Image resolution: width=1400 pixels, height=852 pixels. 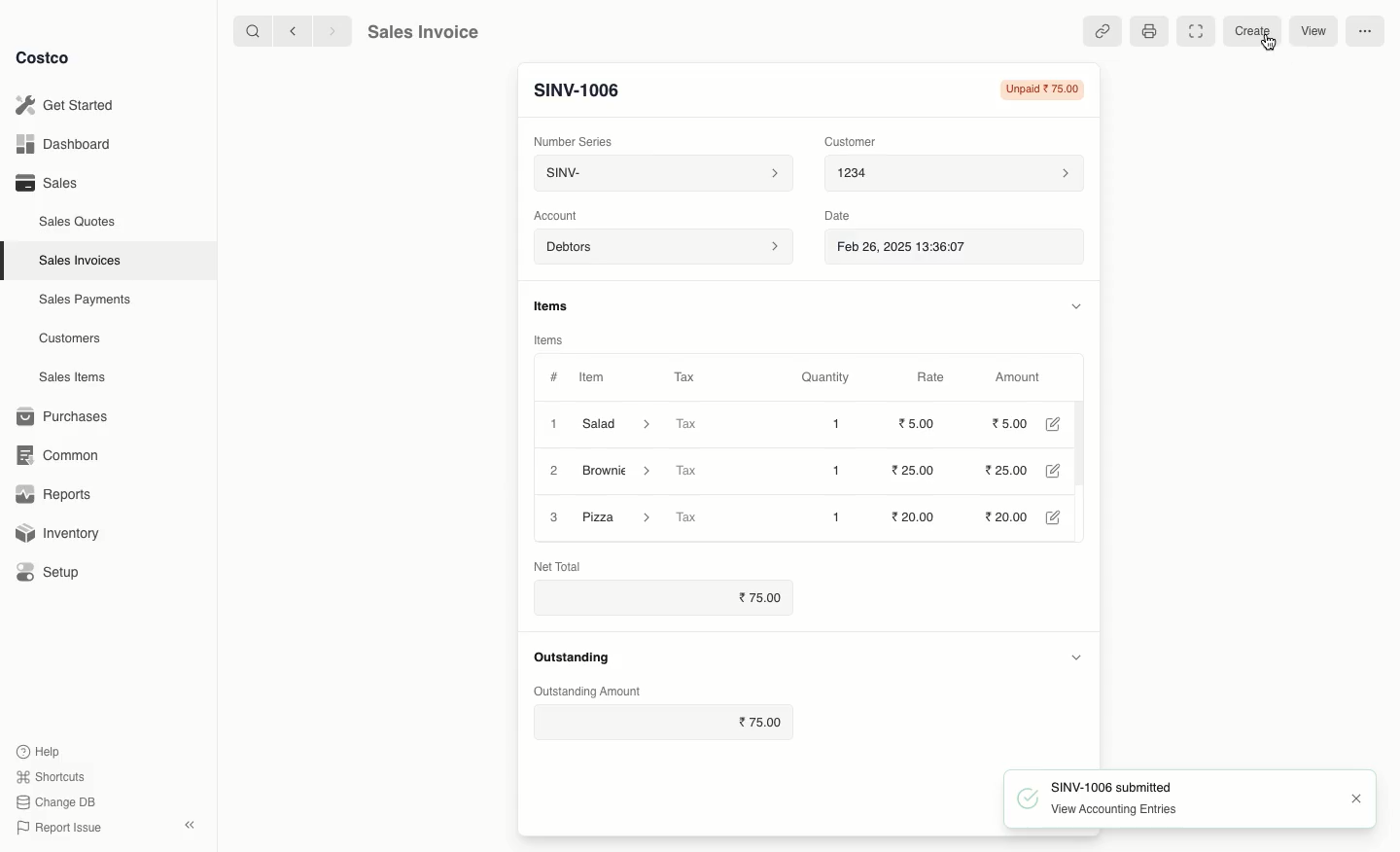 What do you see at coordinates (40, 750) in the screenshot?
I see `Help` at bounding box center [40, 750].